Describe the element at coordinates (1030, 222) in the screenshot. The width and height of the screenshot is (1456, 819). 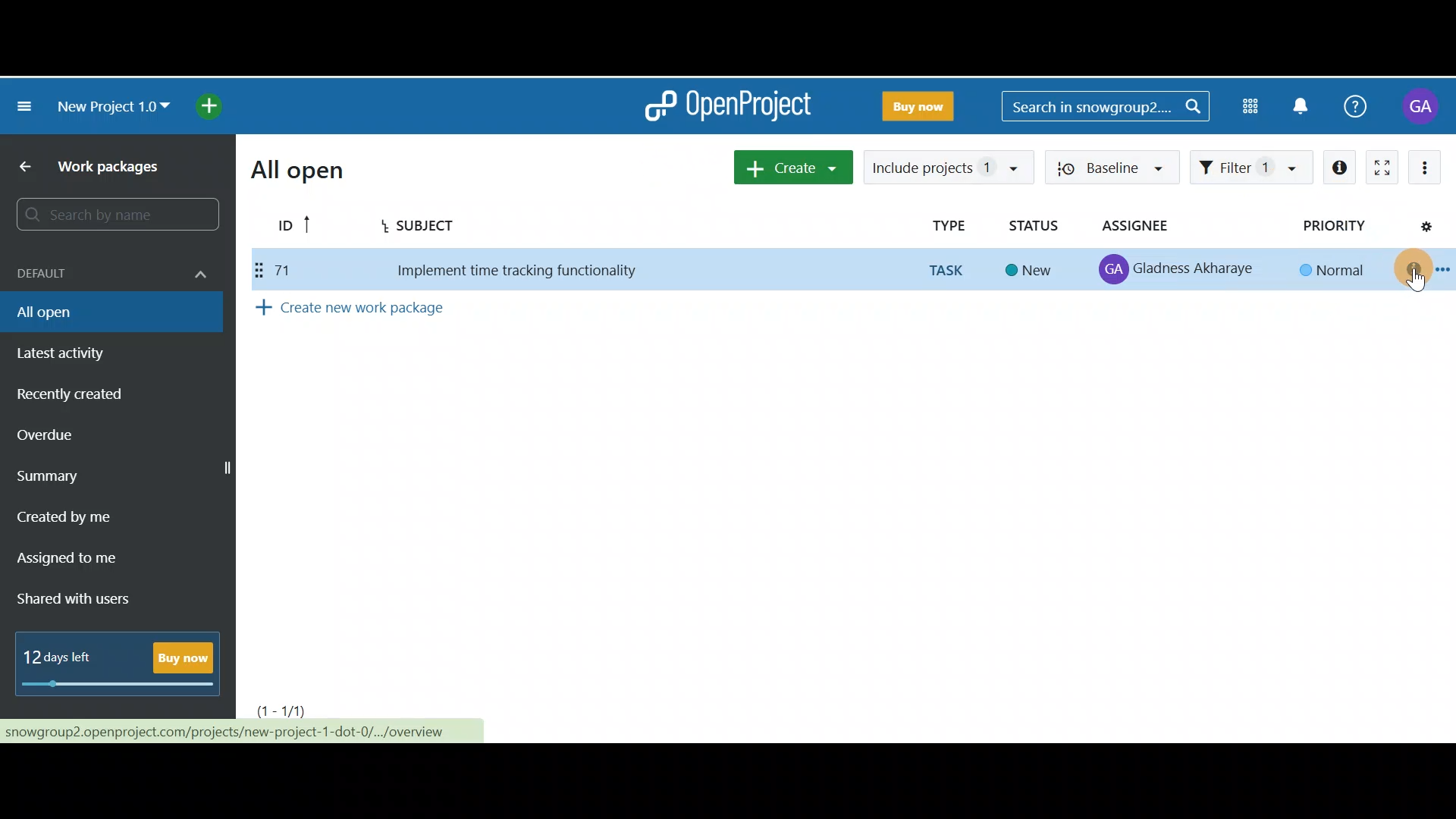
I see `Status` at that location.